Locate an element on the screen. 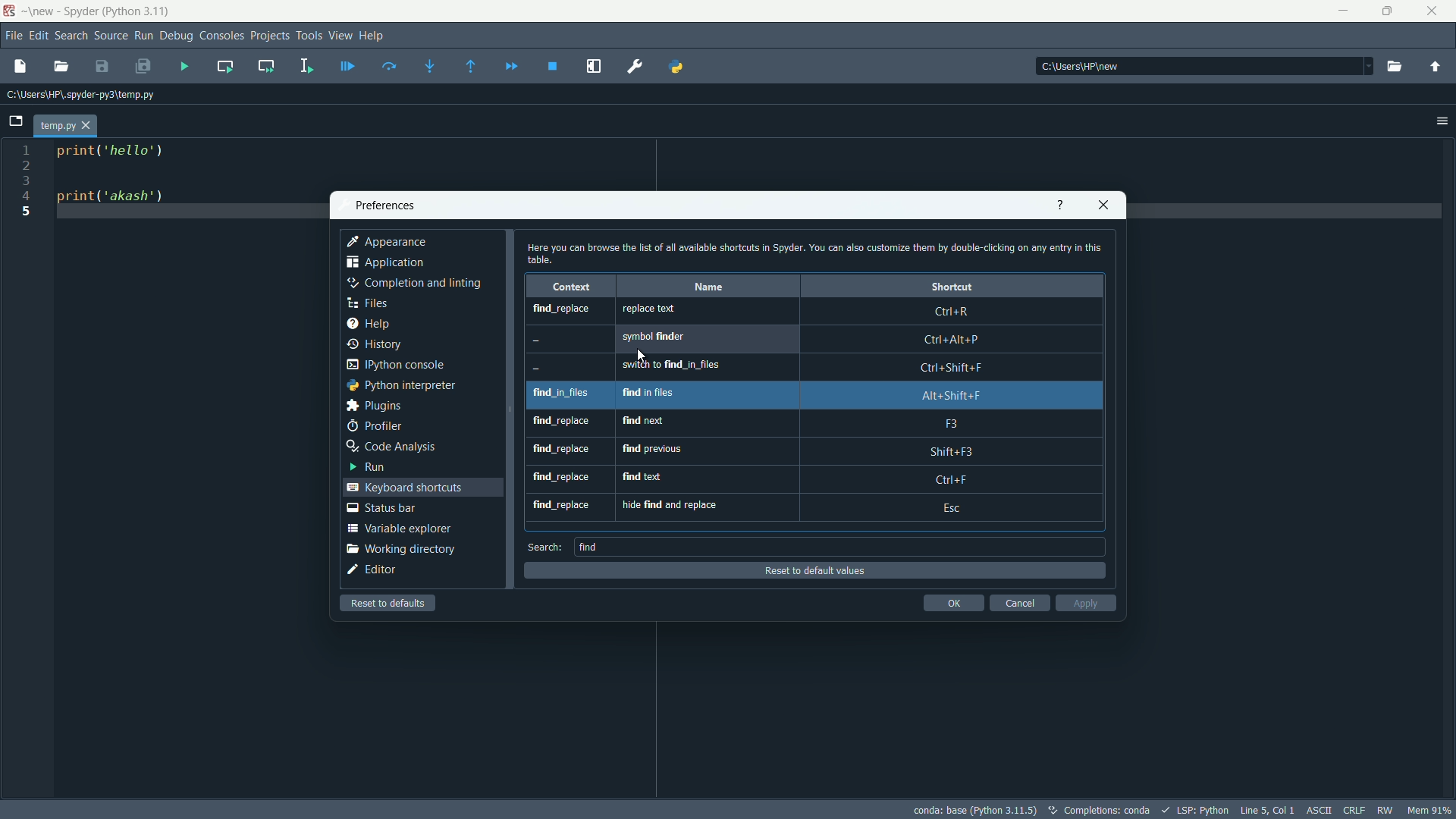 This screenshot has width=1456, height=819. profiler is located at coordinates (372, 425).